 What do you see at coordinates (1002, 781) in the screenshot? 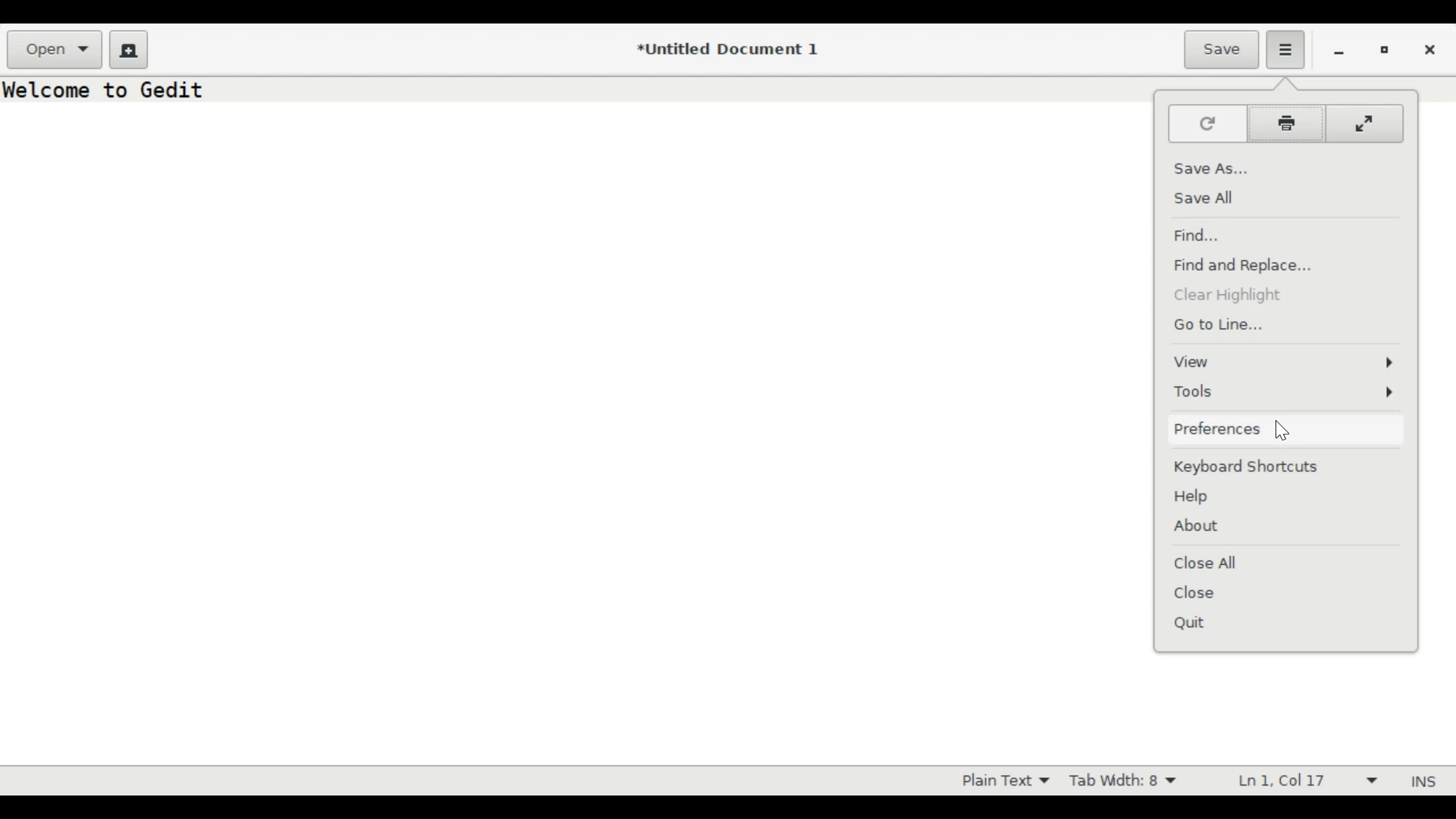
I see `Highlight mode dropdown menu` at bounding box center [1002, 781].